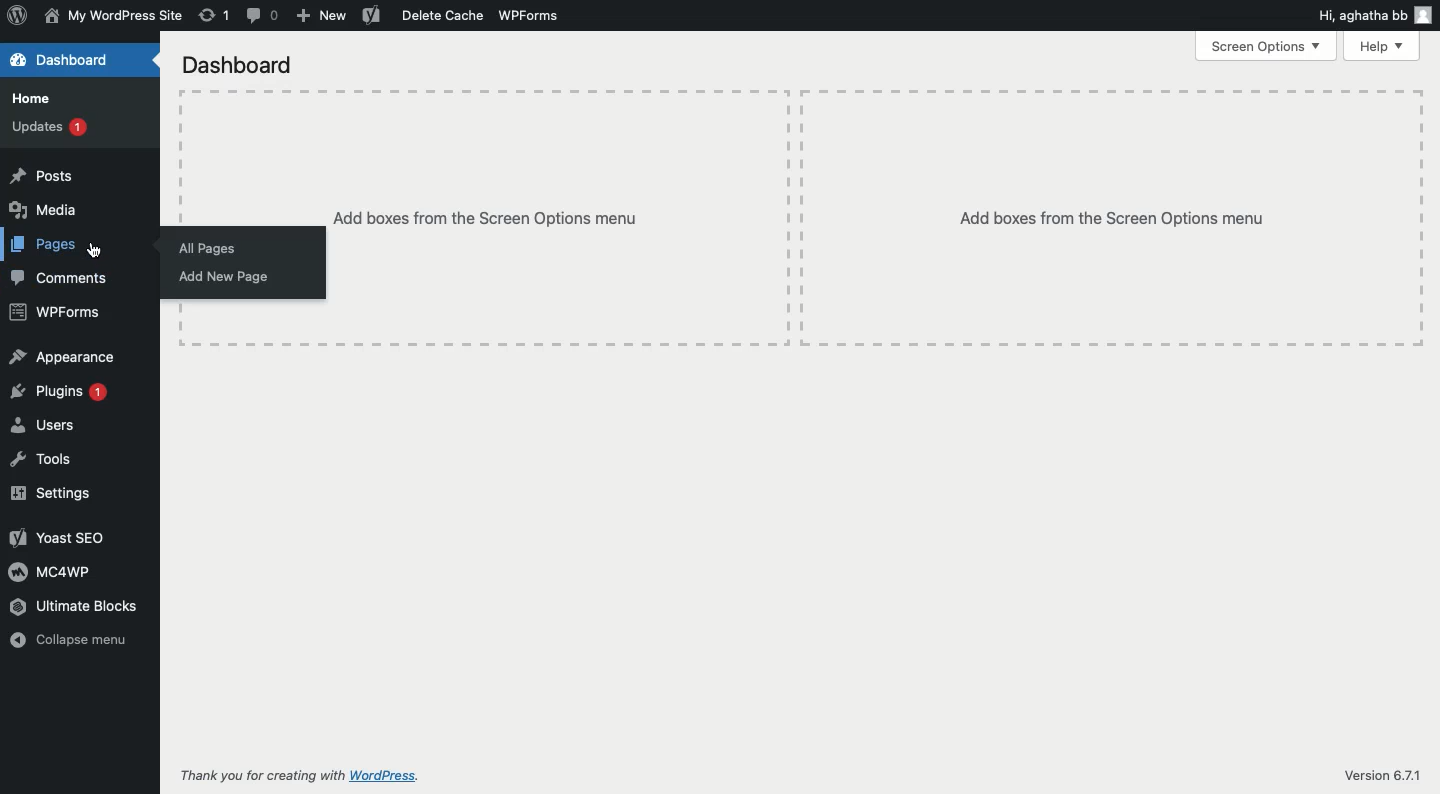  What do you see at coordinates (238, 66) in the screenshot?
I see `Dashboard` at bounding box center [238, 66].